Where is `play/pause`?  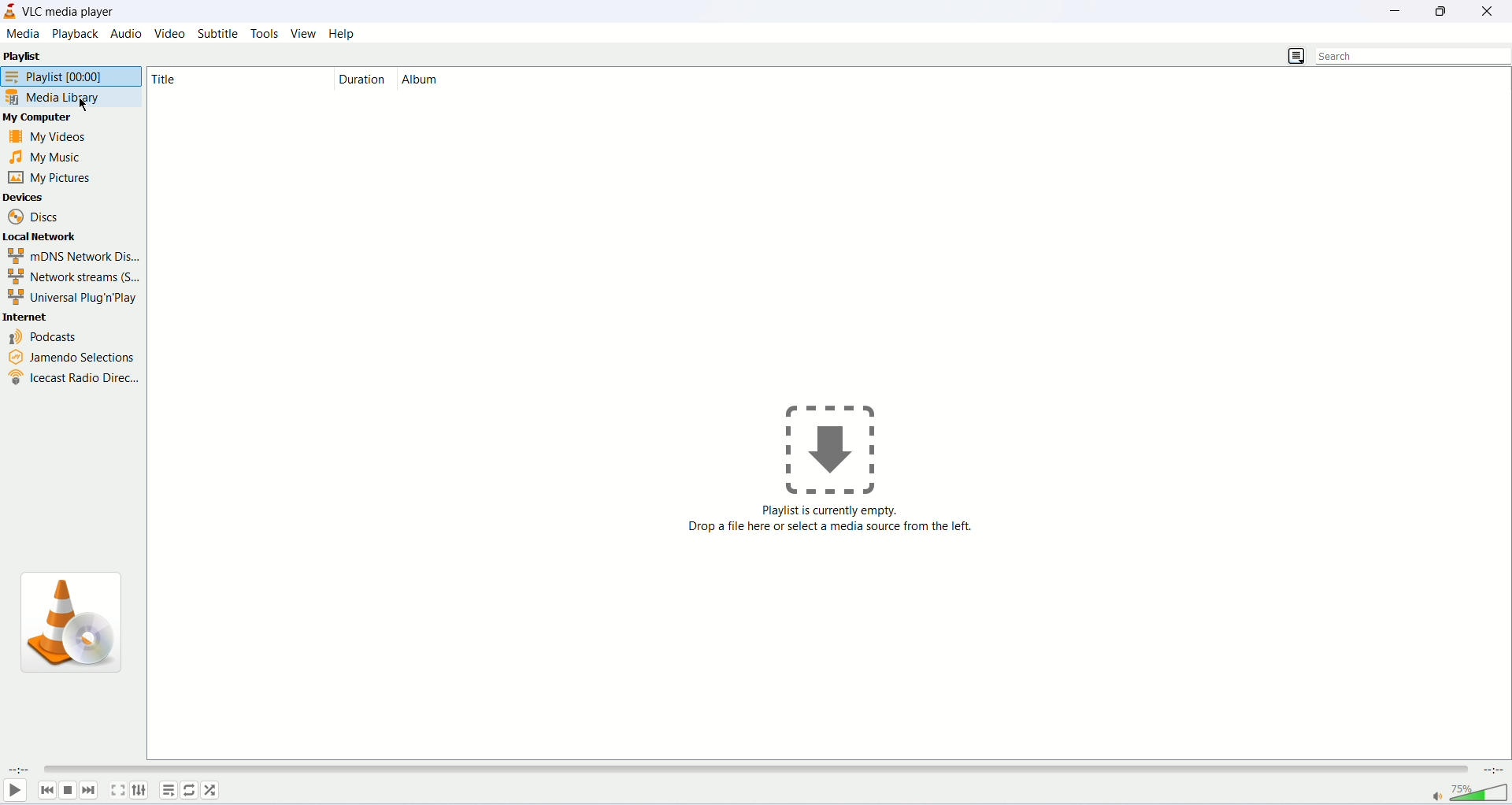
play/pause is located at coordinates (15, 793).